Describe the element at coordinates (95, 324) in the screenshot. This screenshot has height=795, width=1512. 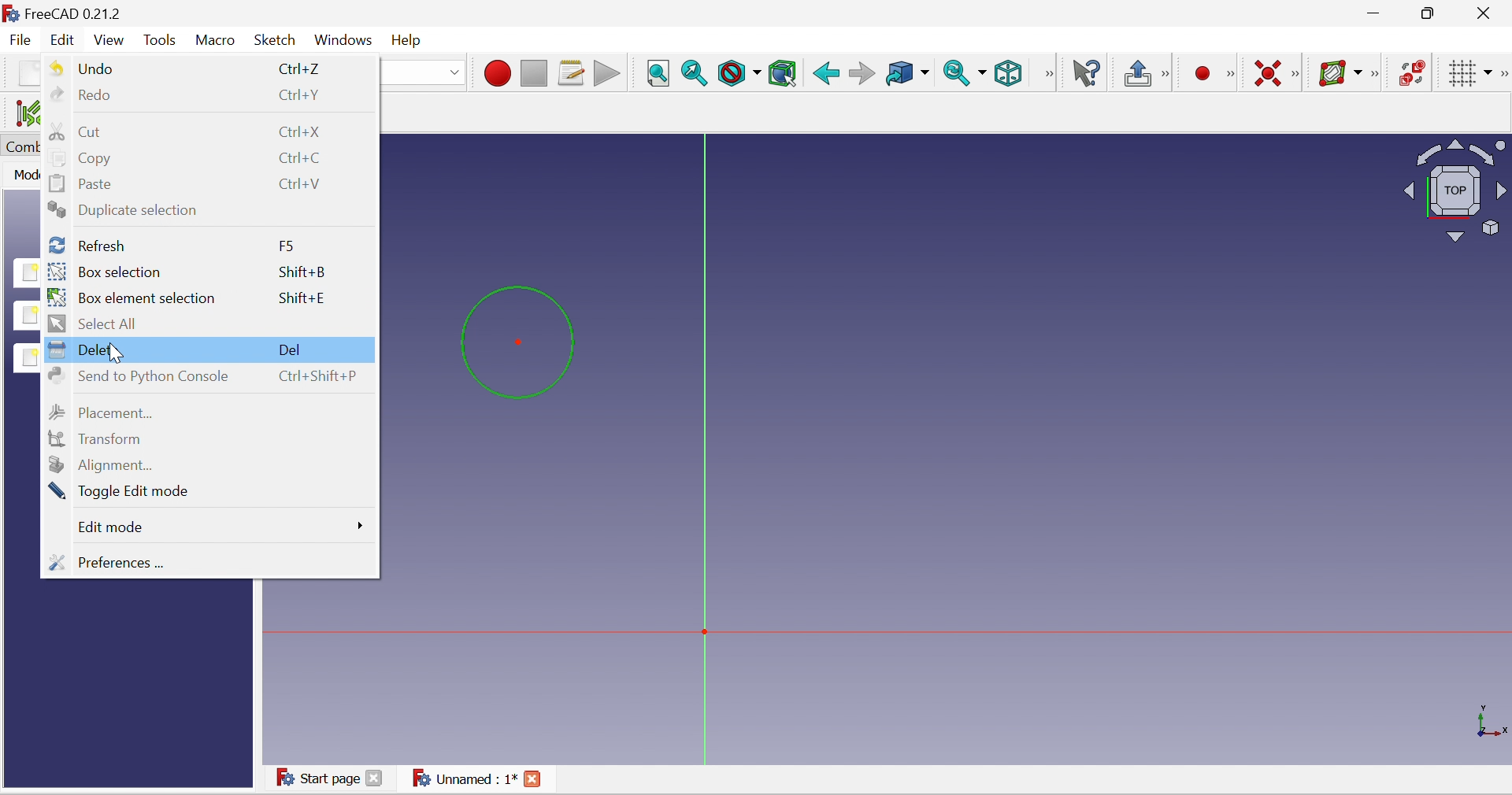
I see `Select all` at that location.